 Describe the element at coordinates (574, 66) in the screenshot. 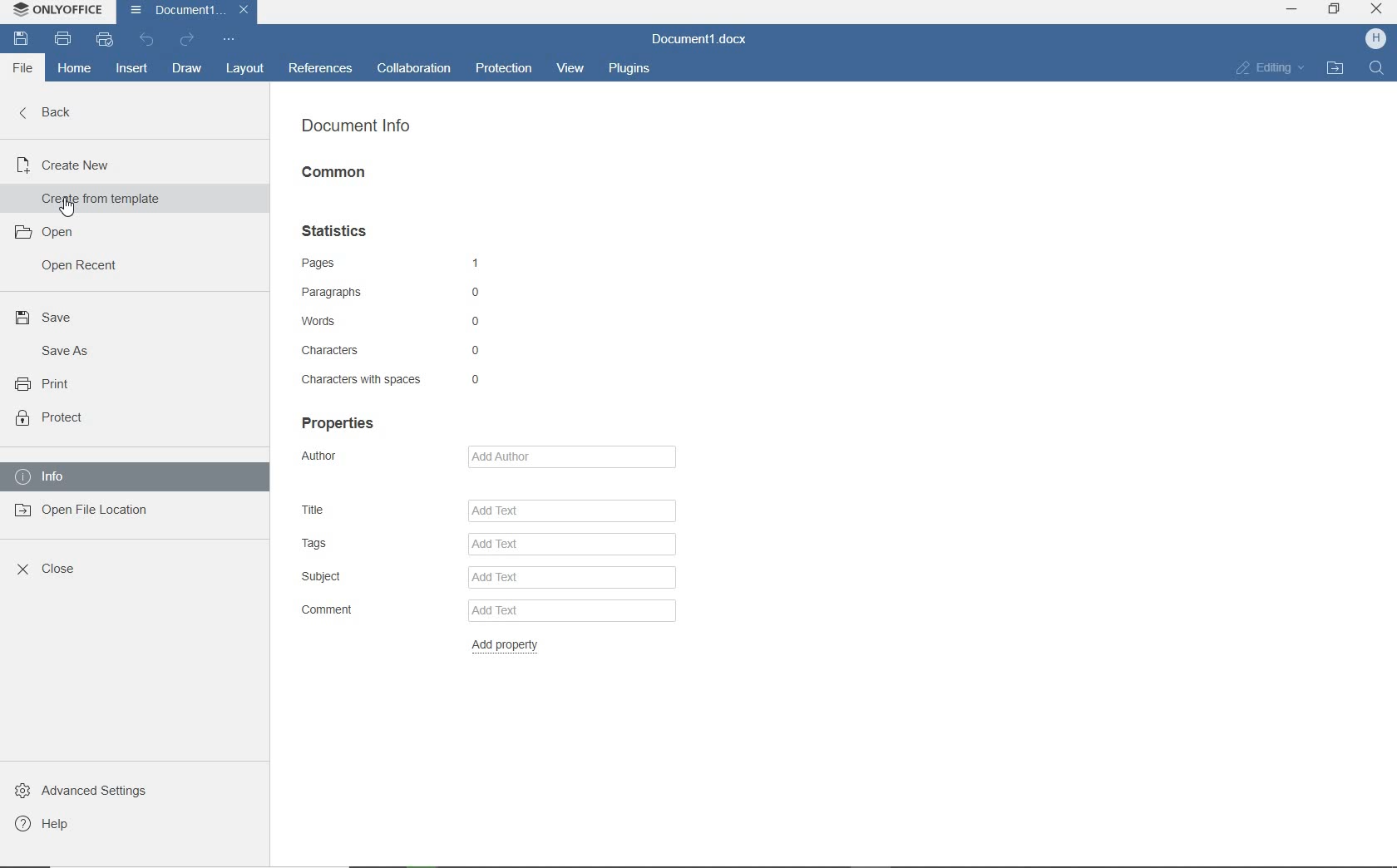

I see `view` at that location.